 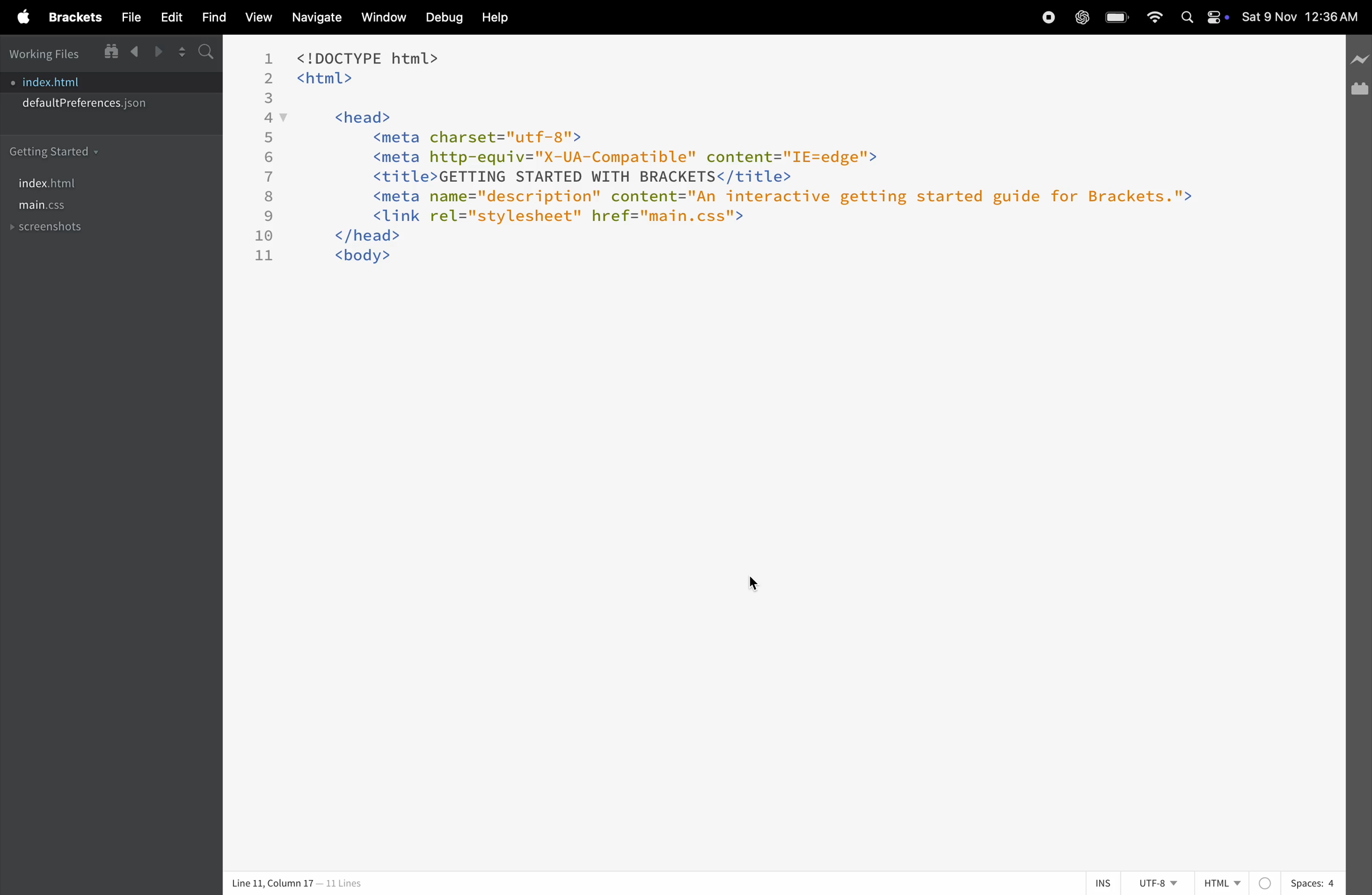 I want to click on code block, so click(x=743, y=159).